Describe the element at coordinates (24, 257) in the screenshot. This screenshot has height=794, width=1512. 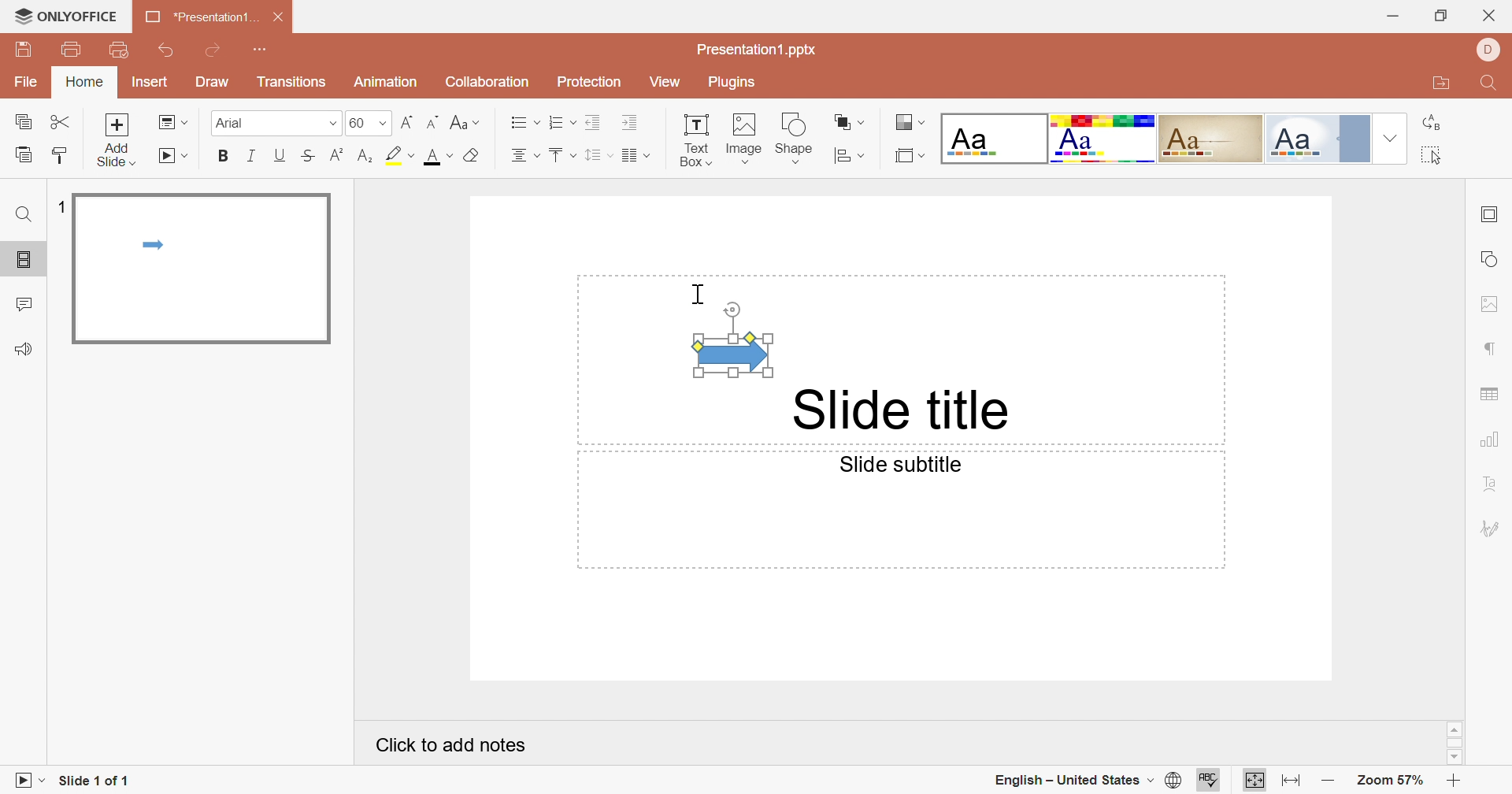
I see `Slides` at that location.